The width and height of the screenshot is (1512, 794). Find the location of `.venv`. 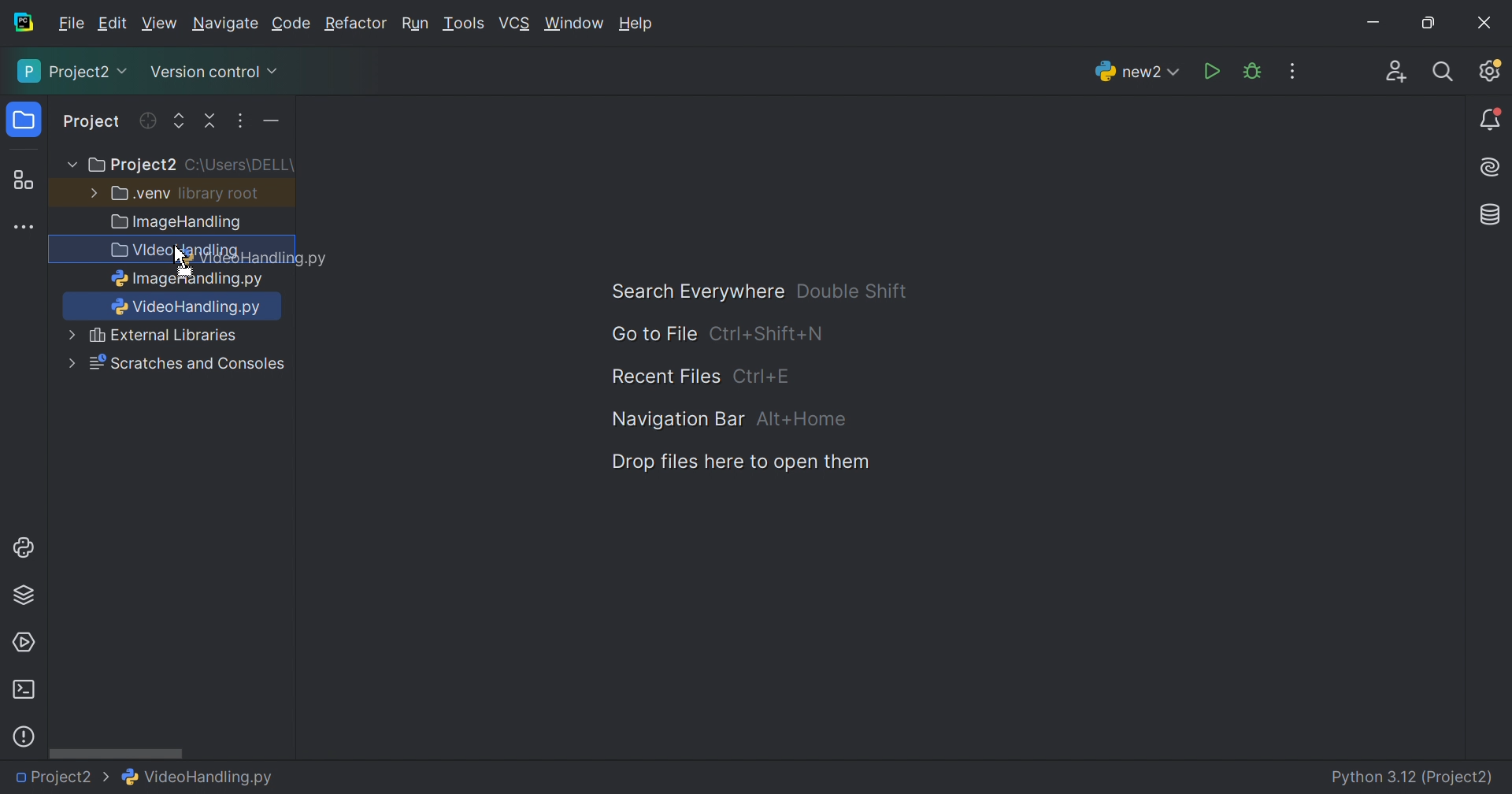

.venv is located at coordinates (141, 194).